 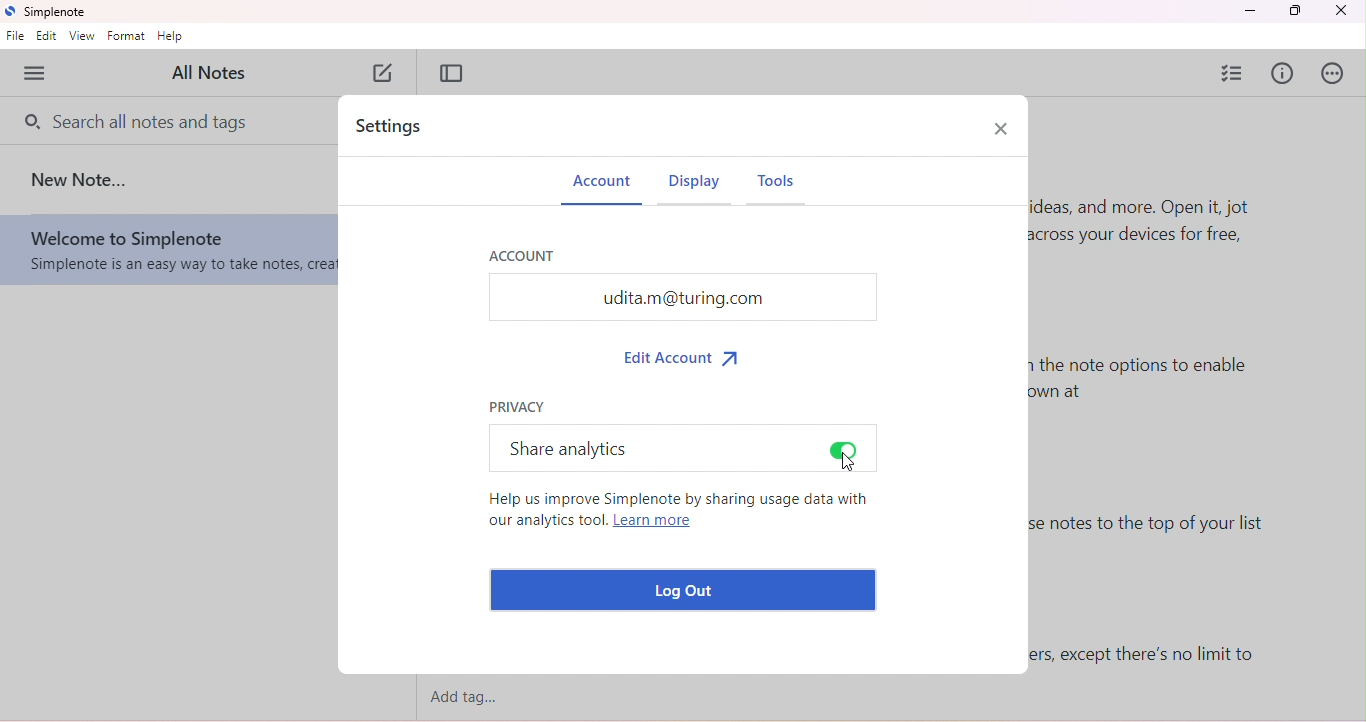 I want to click on edit account, so click(x=686, y=356).